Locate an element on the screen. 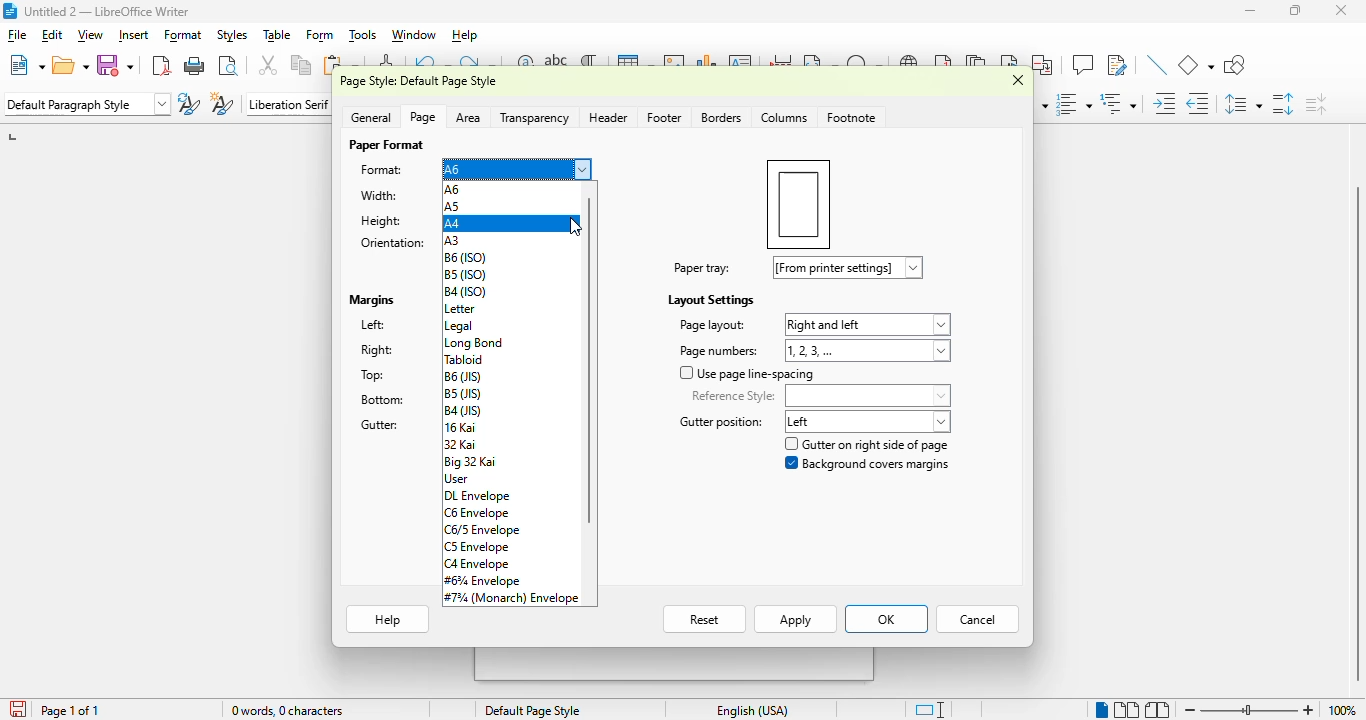 This screenshot has height=720, width=1366. top: 2.00 cm is located at coordinates (384, 374).